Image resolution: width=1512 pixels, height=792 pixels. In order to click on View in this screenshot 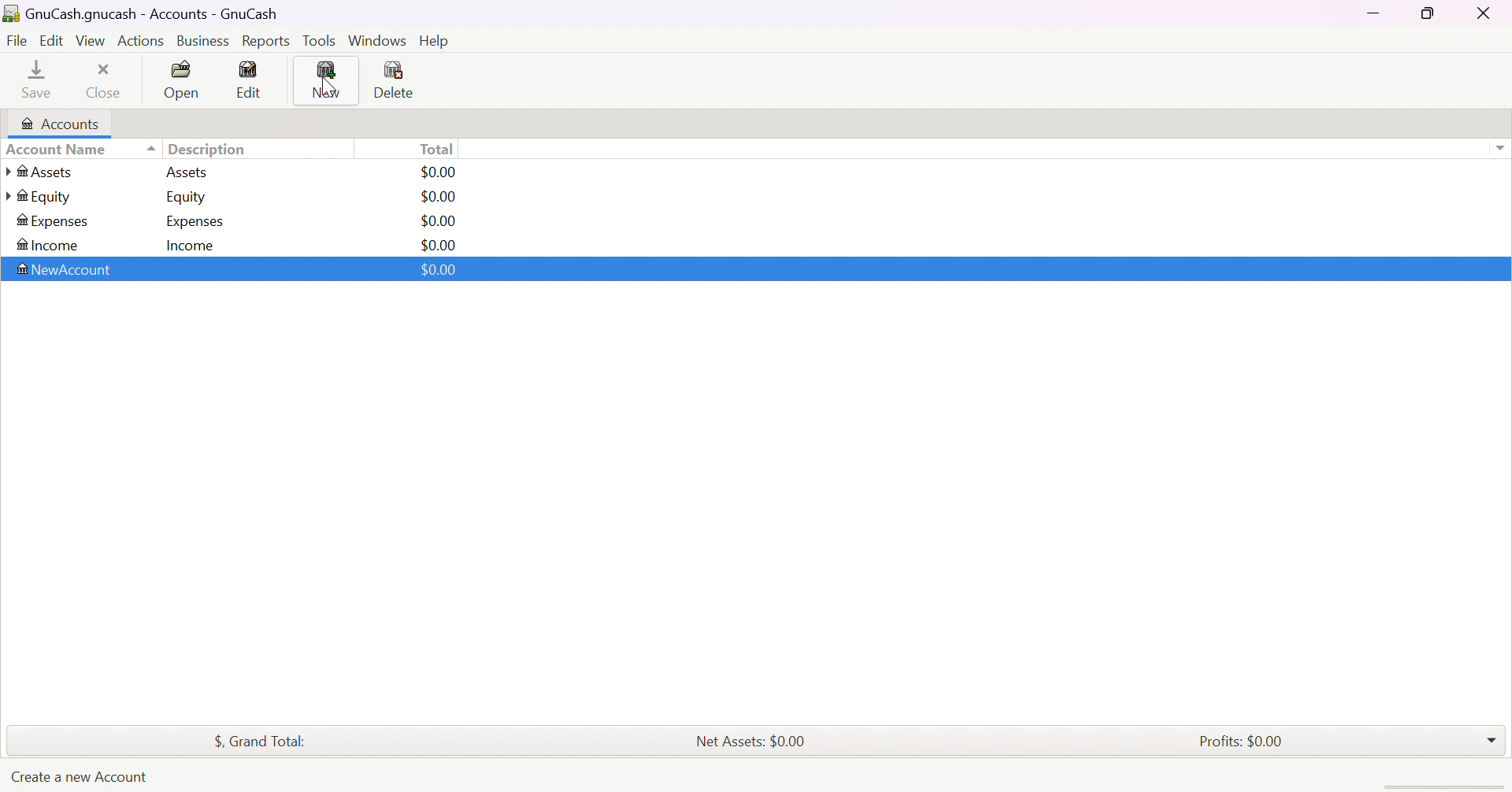, I will do `click(91, 41)`.